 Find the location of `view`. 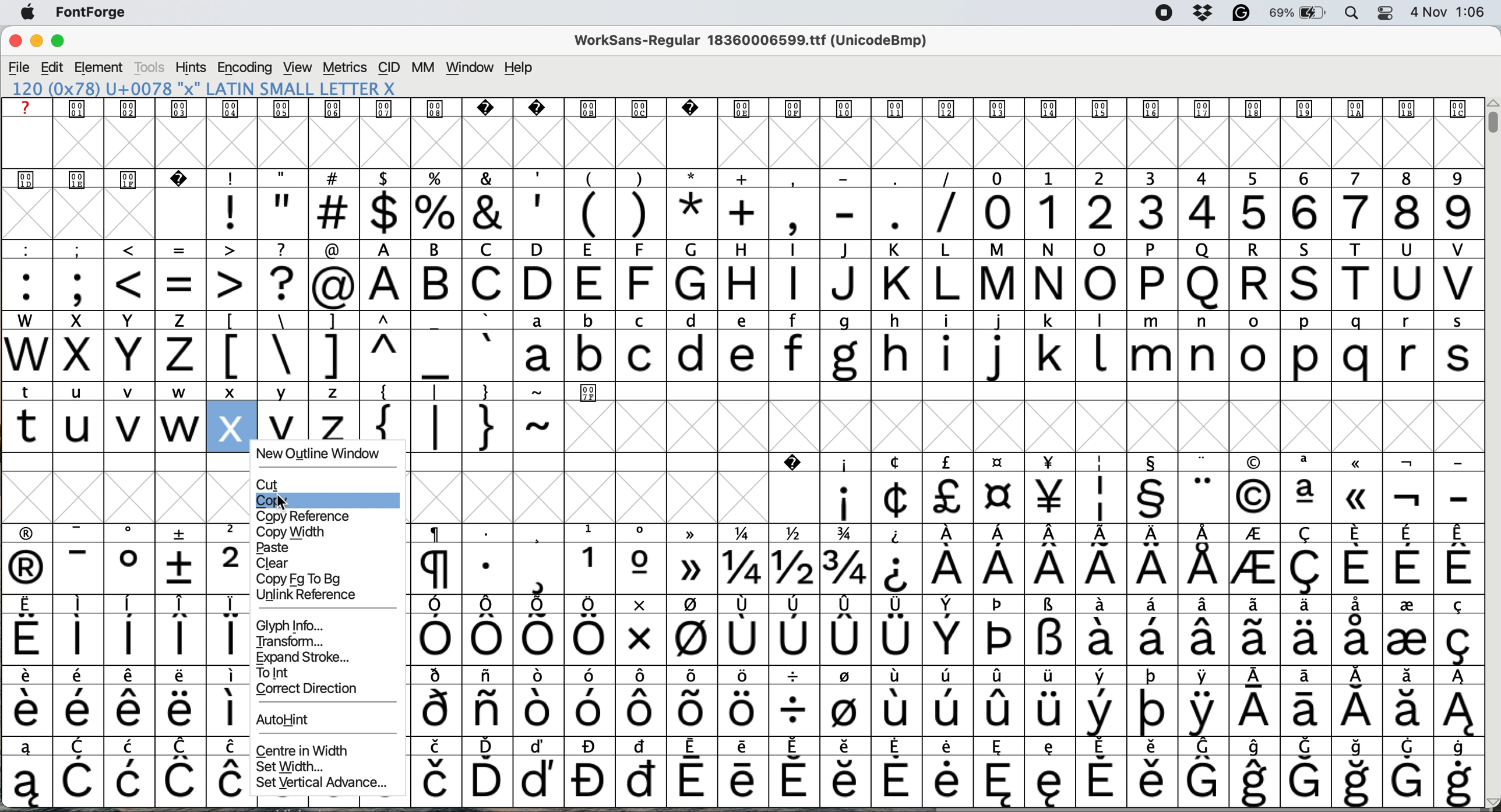

view is located at coordinates (295, 68).